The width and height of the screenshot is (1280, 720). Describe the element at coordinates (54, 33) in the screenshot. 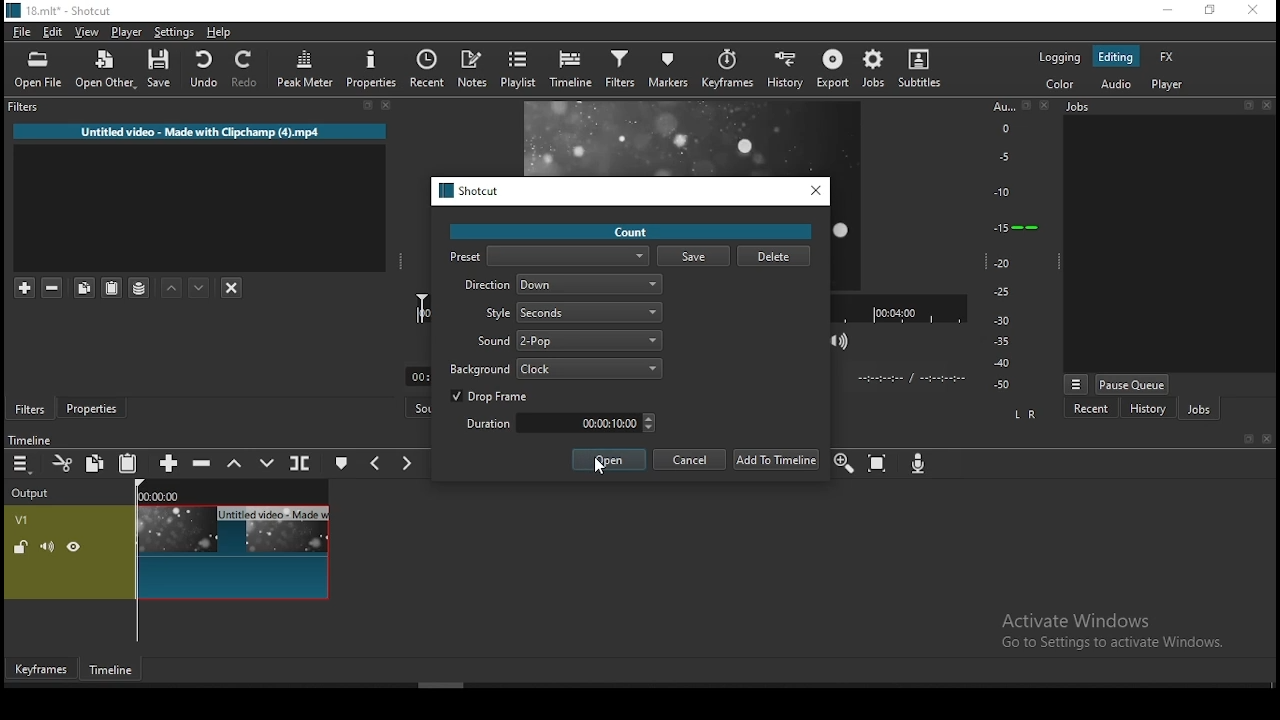

I see `edit` at that location.